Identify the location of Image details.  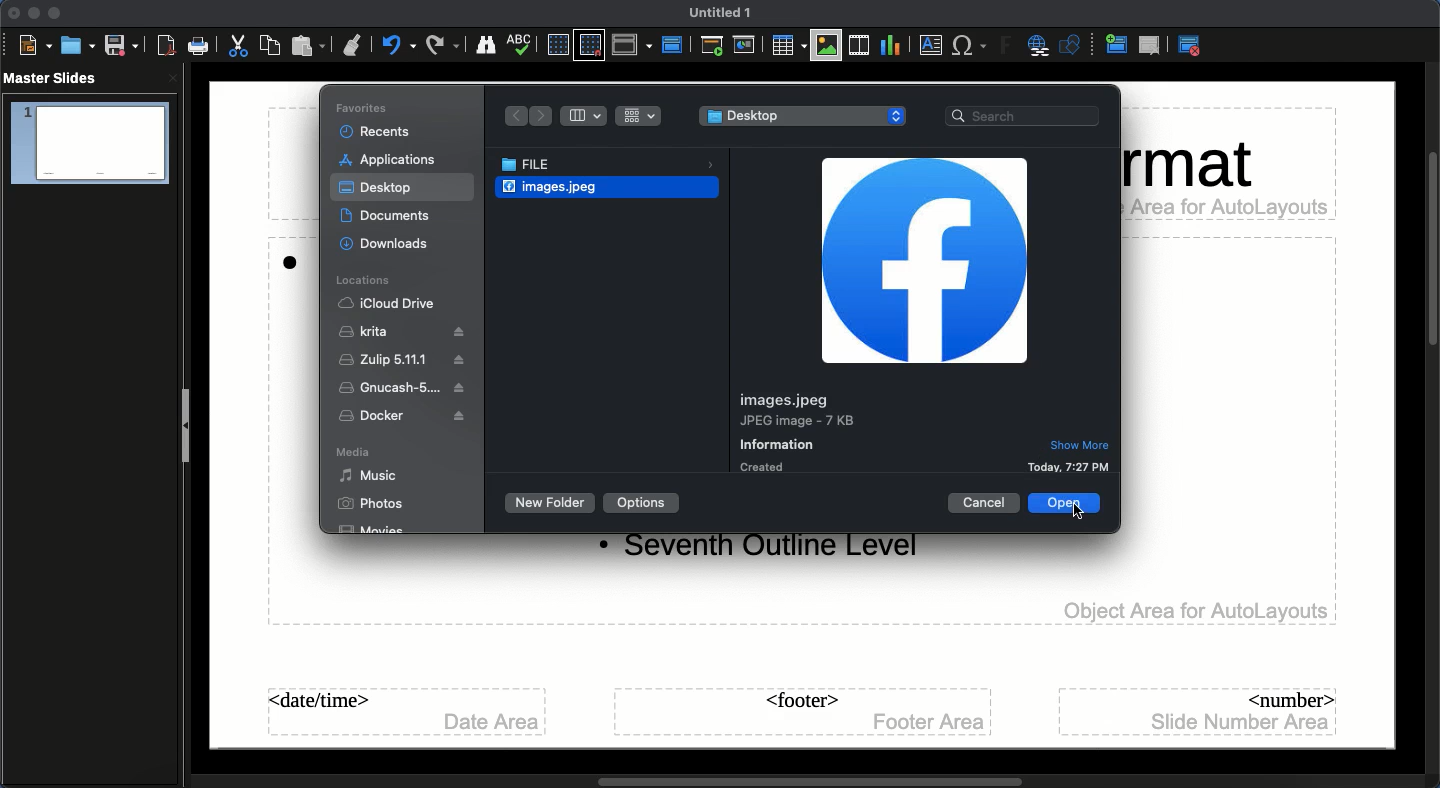
(923, 430).